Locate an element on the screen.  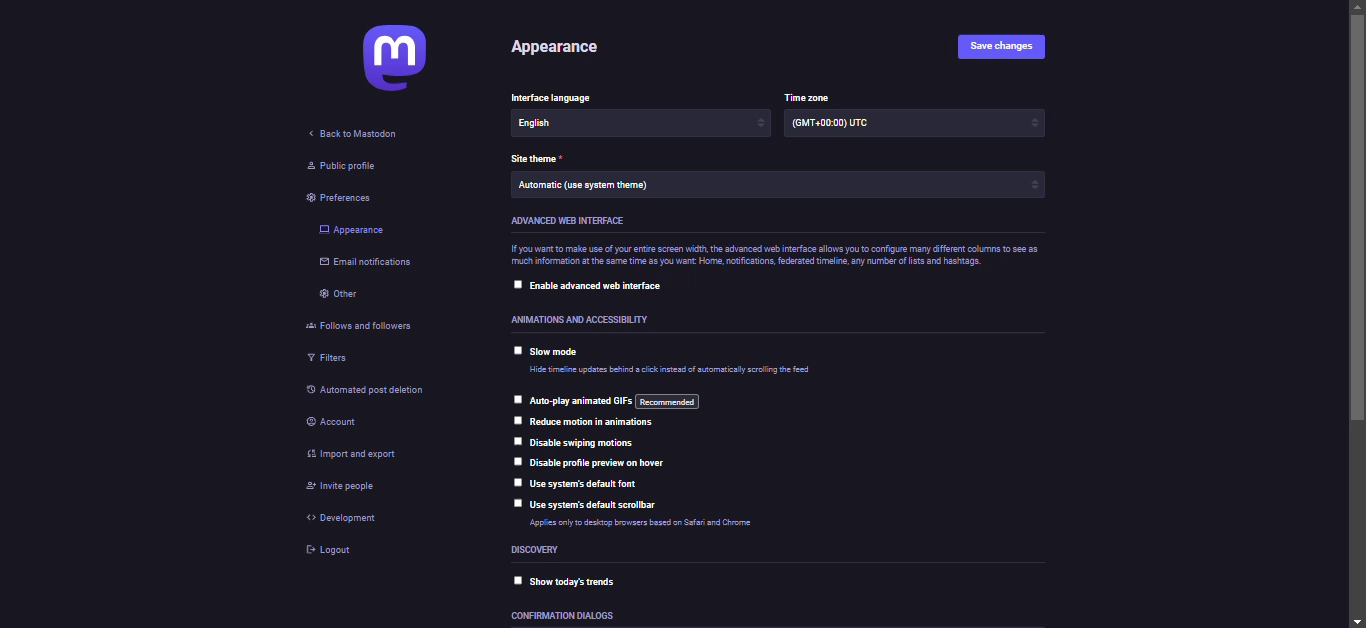
filters is located at coordinates (331, 359).